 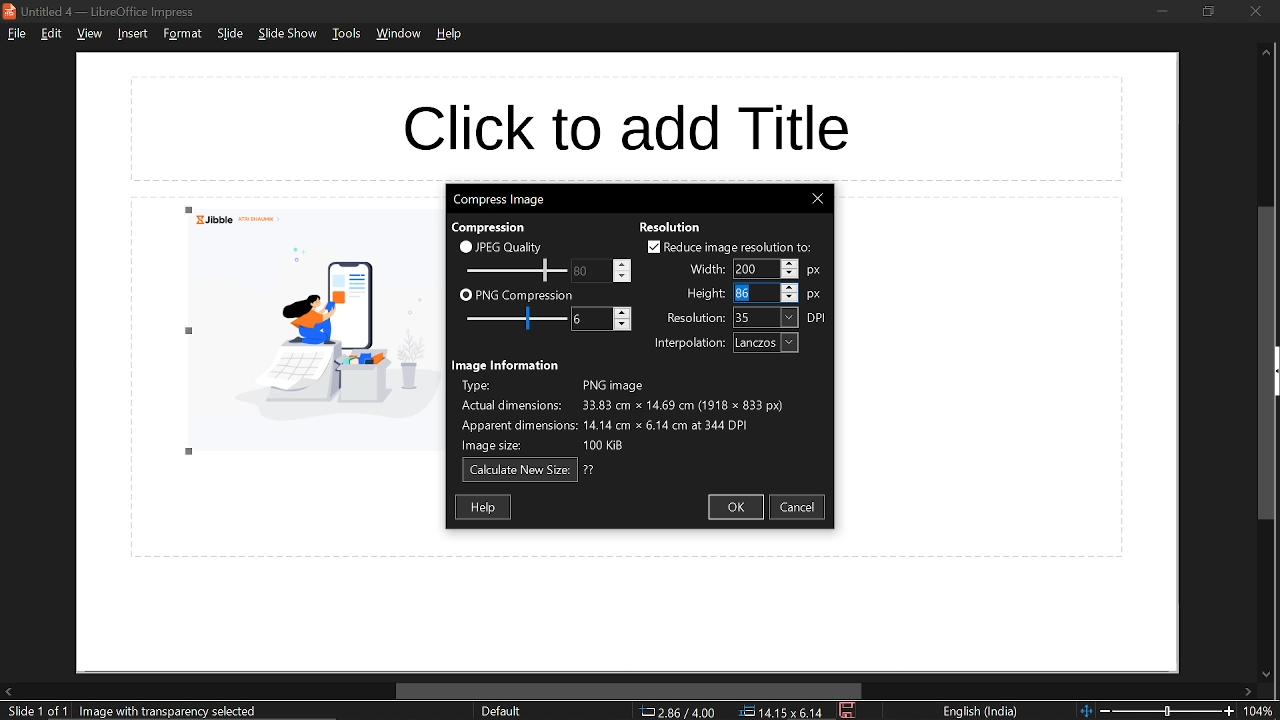 What do you see at coordinates (766, 343) in the screenshot?
I see `interpolation` at bounding box center [766, 343].